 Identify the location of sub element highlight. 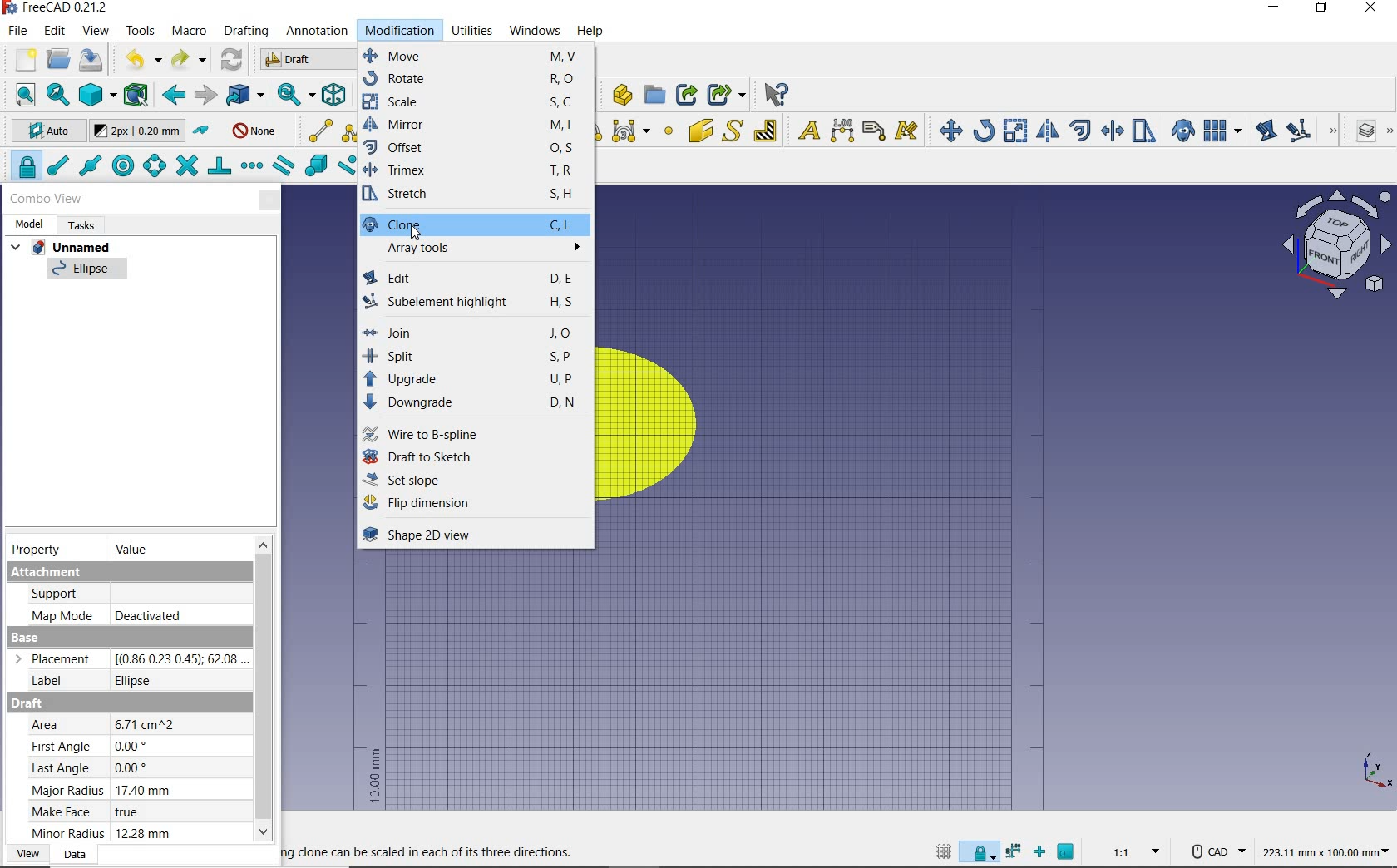
(1310, 131).